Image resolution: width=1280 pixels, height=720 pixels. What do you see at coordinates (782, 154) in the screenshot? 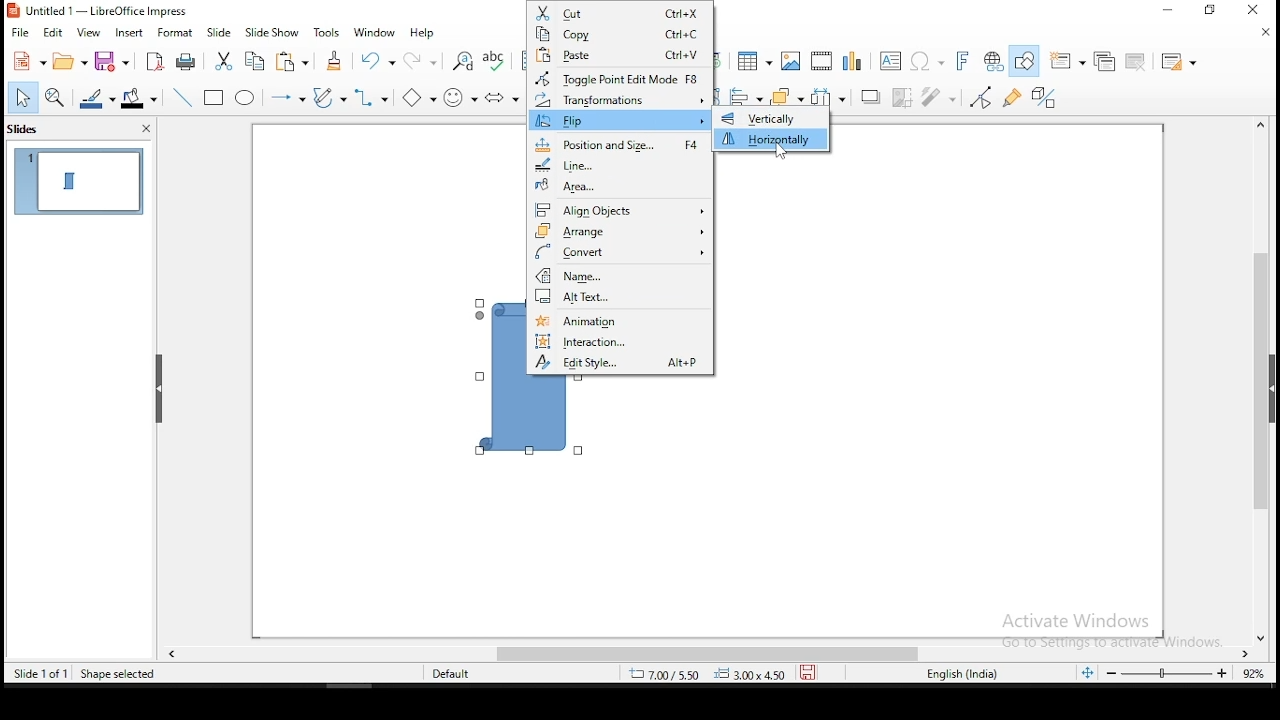
I see `mouse pointer` at bounding box center [782, 154].